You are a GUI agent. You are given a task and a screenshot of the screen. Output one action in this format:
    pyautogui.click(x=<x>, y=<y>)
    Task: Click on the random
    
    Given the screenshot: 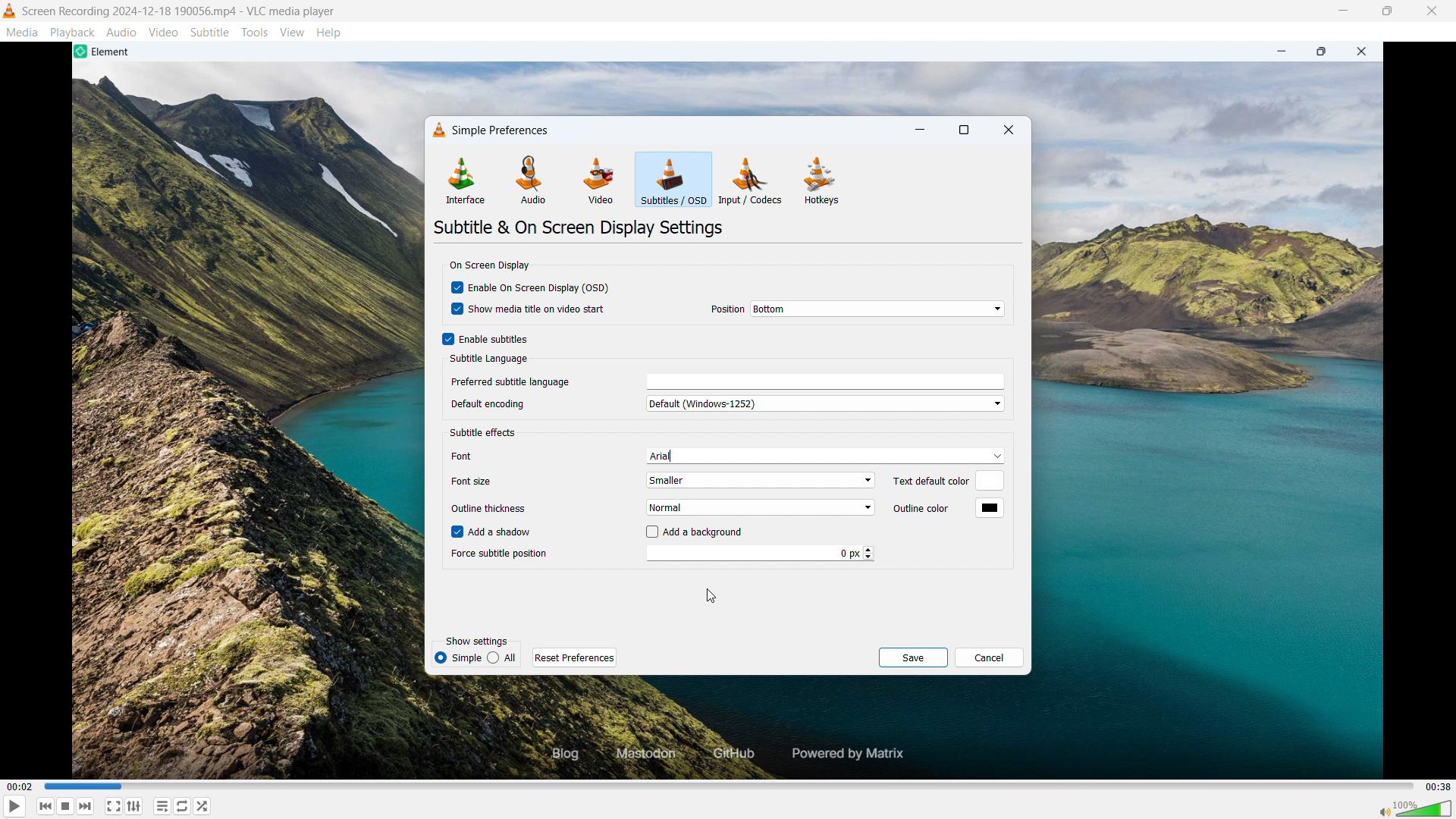 What is the action you would take?
    pyautogui.click(x=202, y=806)
    